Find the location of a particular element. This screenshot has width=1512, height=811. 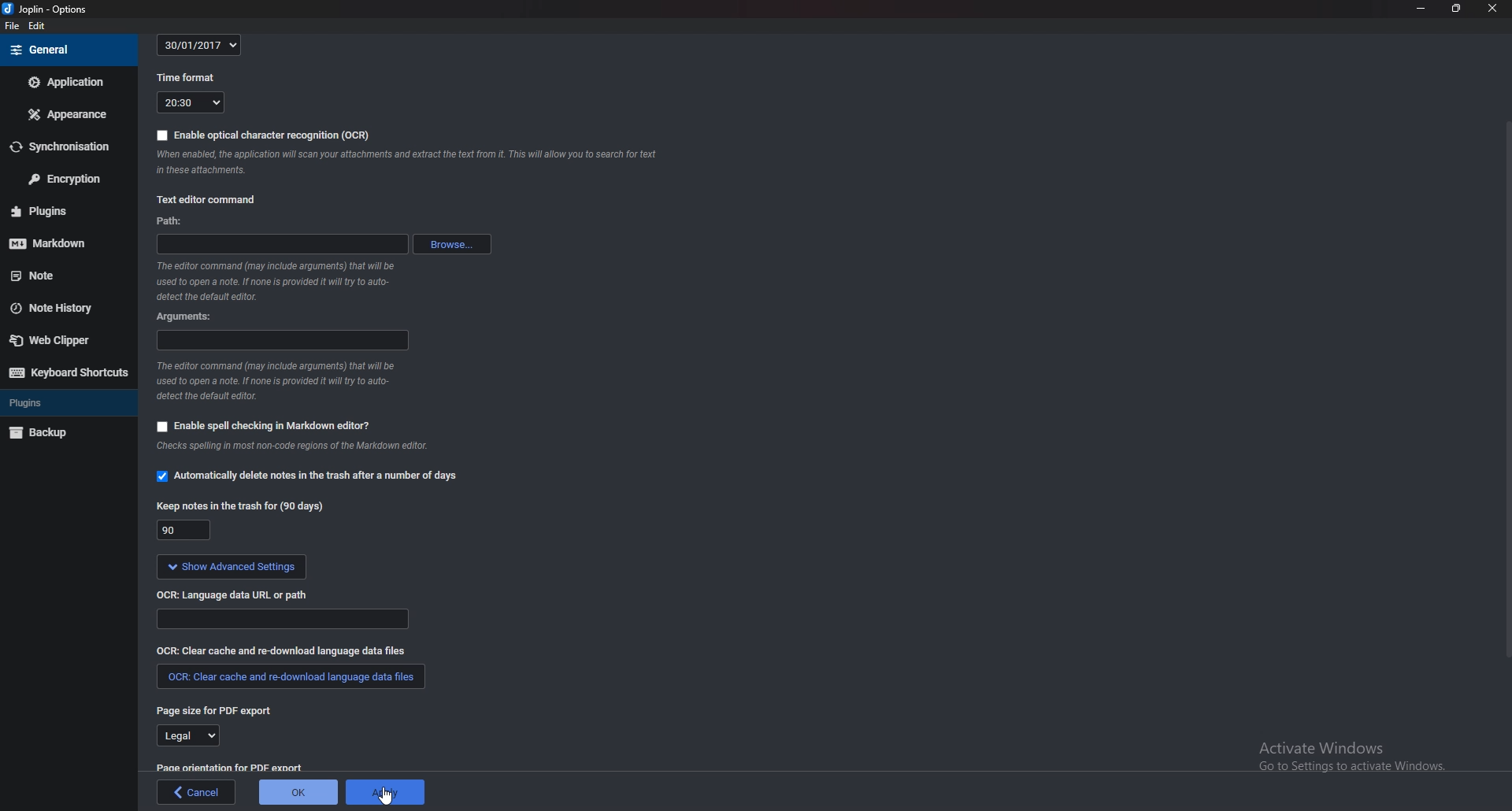

Edit is located at coordinates (36, 25).